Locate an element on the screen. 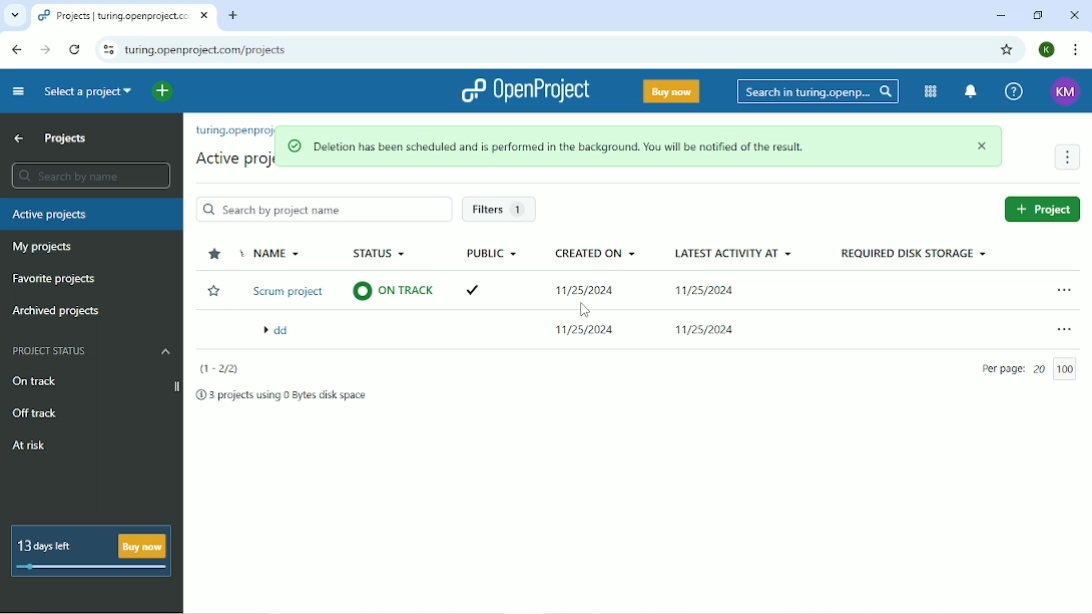  Collapse project menu is located at coordinates (18, 92).